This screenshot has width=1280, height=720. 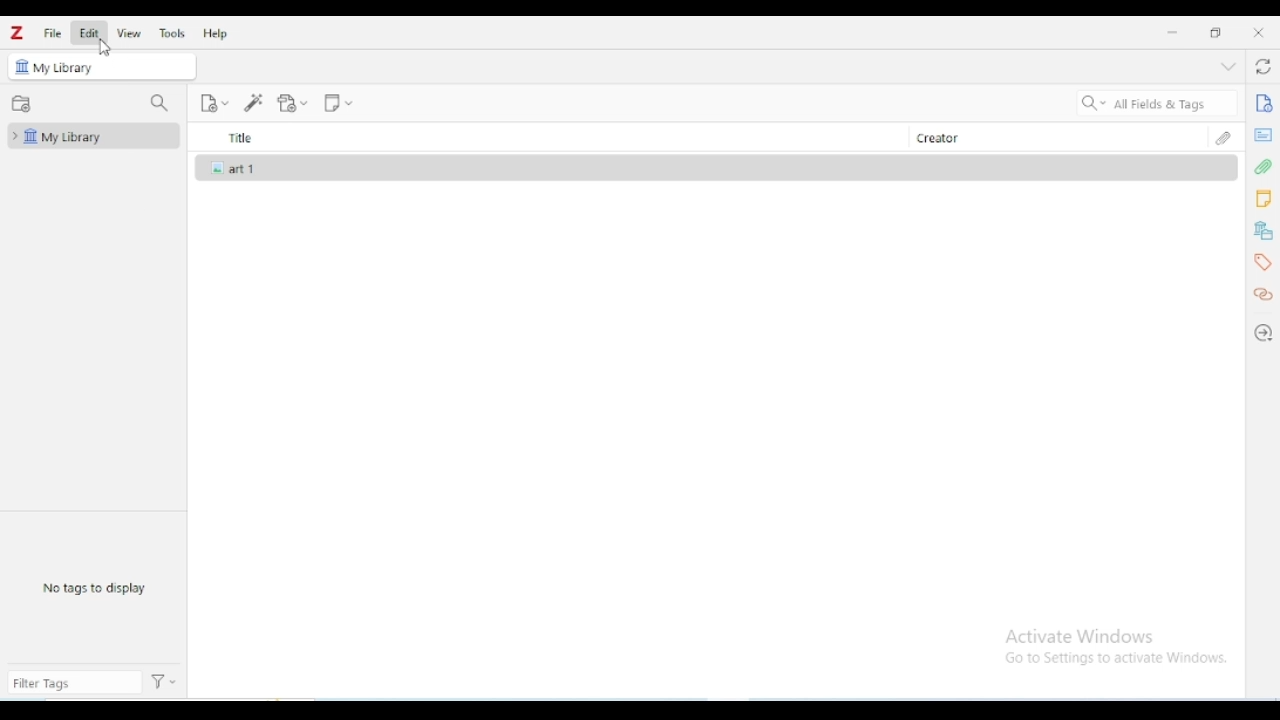 I want to click on attachments, so click(x=1264, y=167).